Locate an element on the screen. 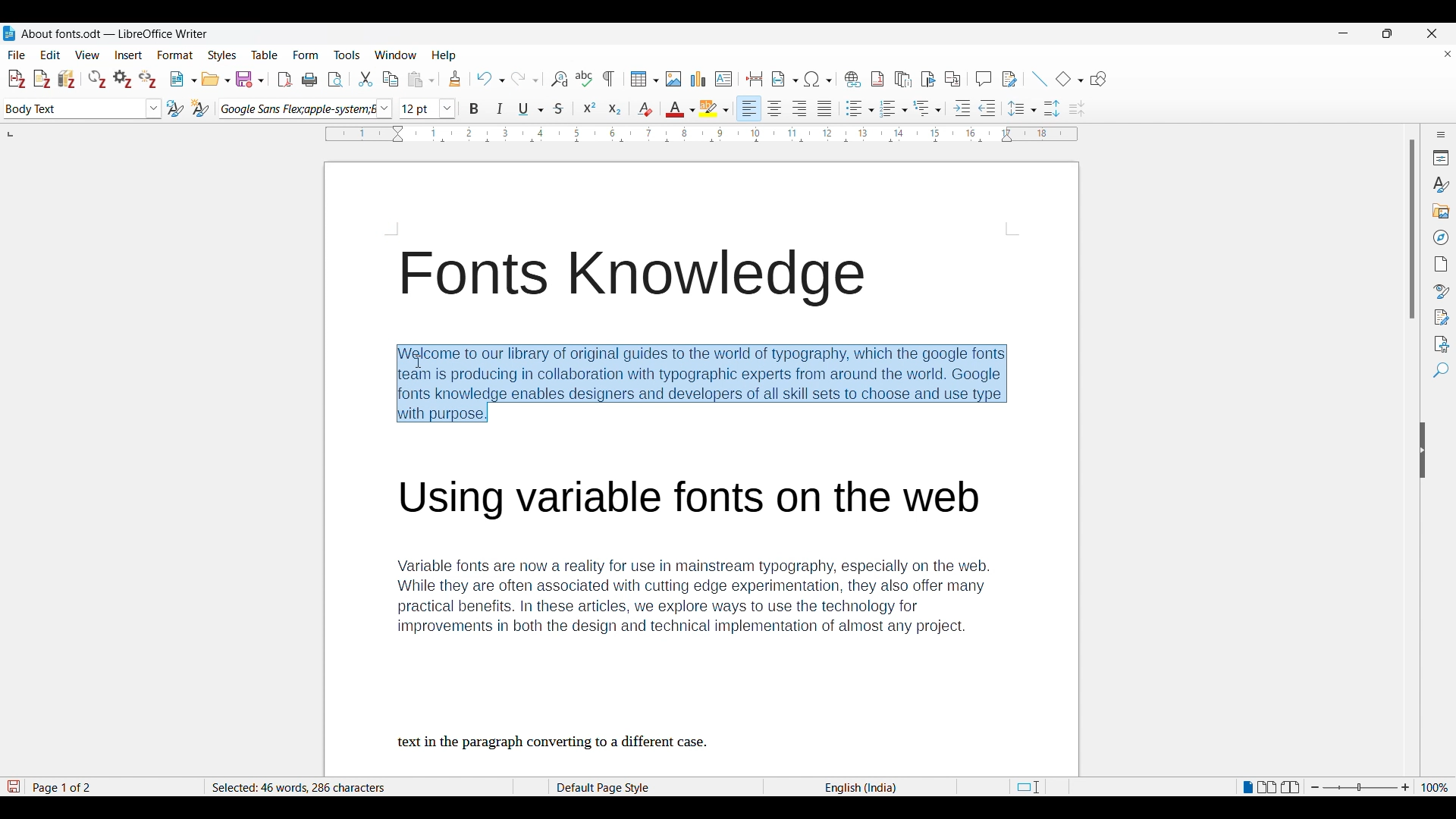 The height and width of the screenshot is (819, 1456). Book view is located at coordinates (1290, 786).